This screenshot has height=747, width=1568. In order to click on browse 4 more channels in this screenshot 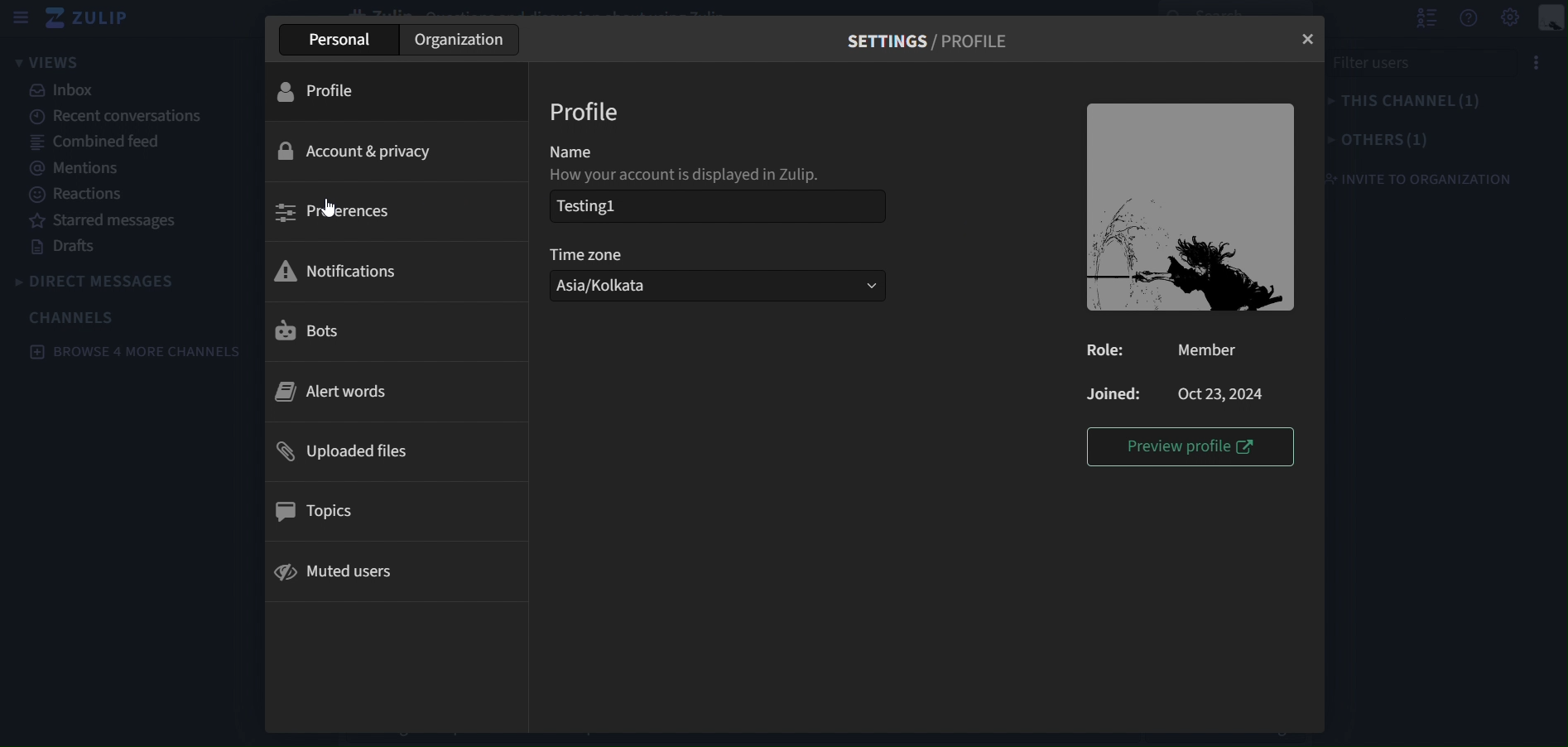, I will do `click(135, 350)`.